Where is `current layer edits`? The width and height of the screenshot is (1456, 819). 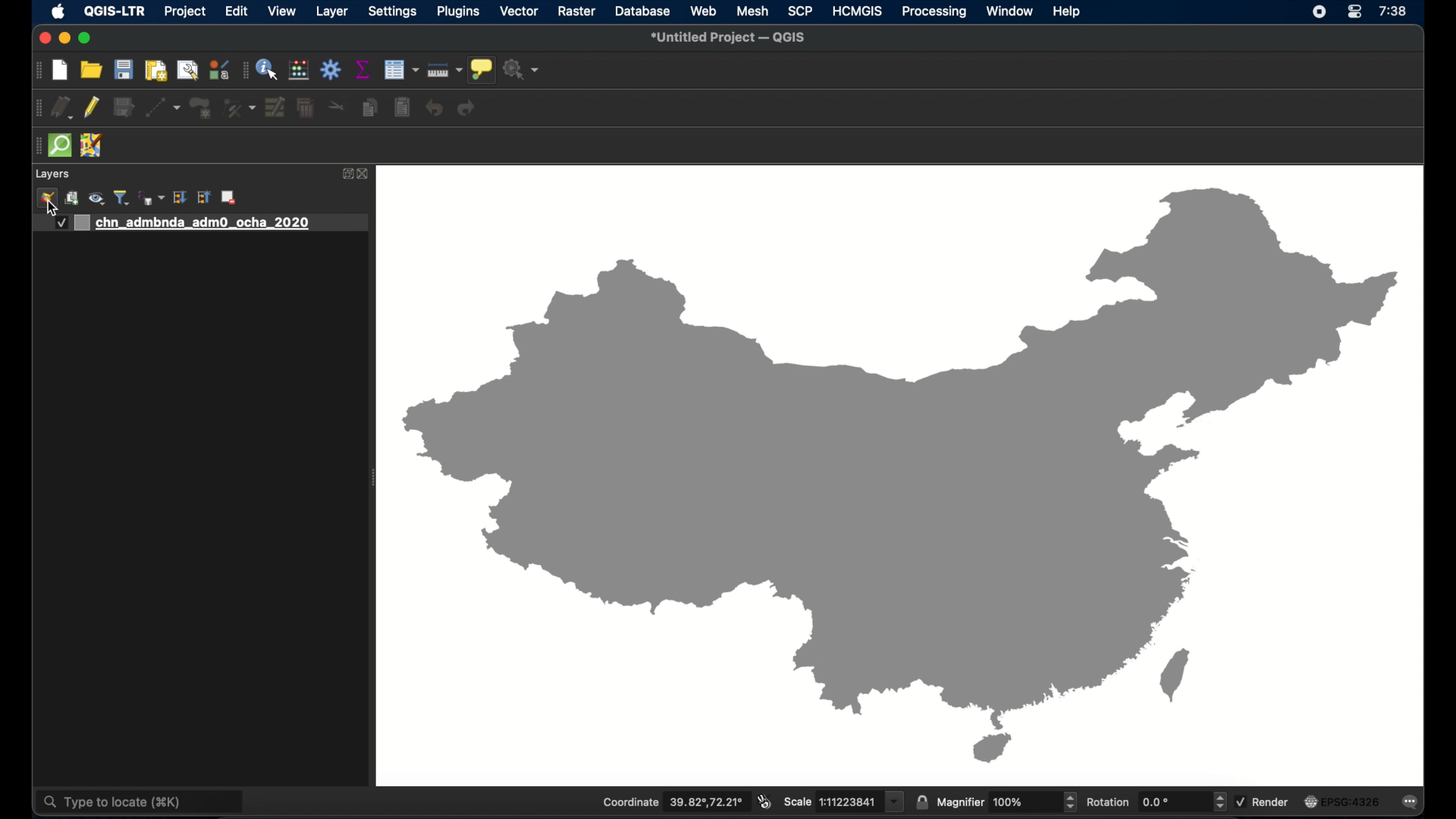
current layer edits is located at coordinates (62, 108).